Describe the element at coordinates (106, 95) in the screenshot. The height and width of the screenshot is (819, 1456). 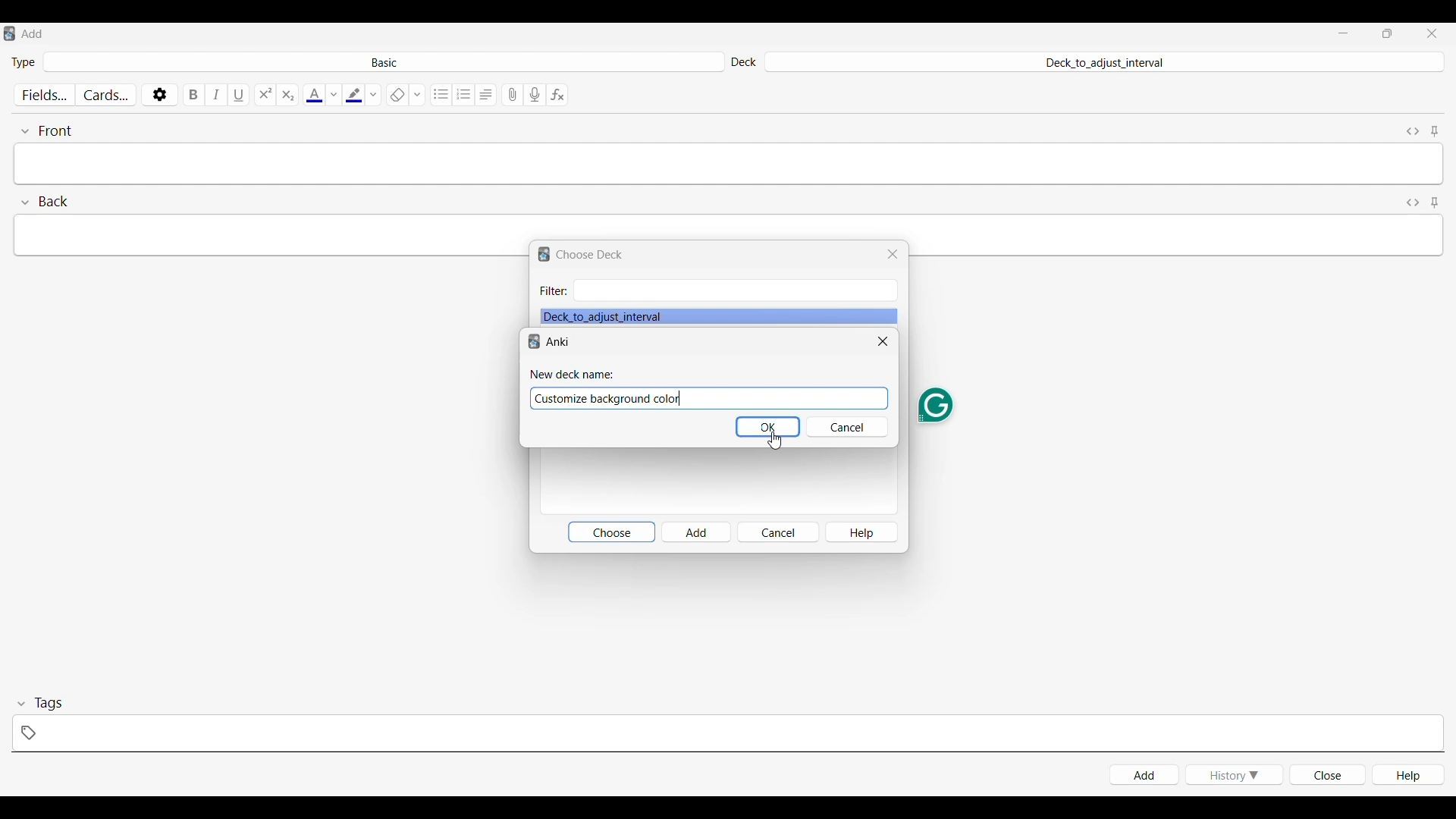
I see `Customize cards` at that location.